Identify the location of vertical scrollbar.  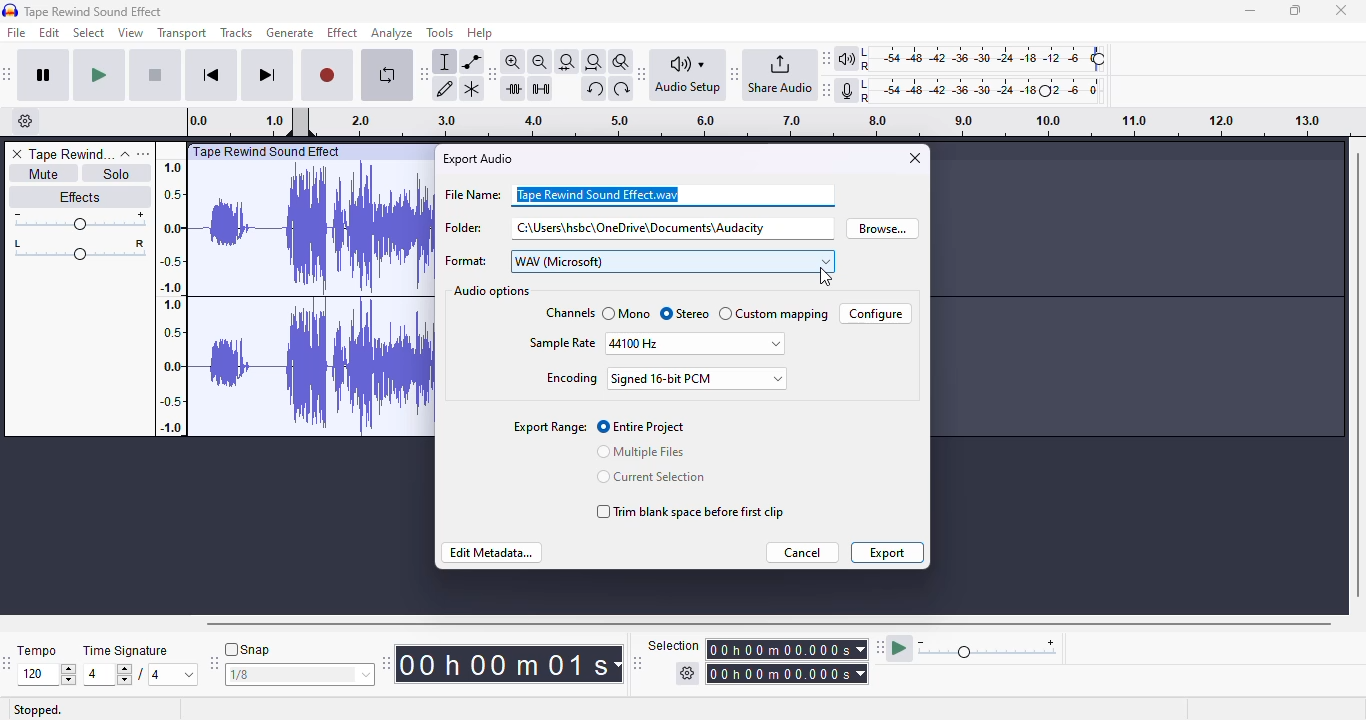
(1357, 374).